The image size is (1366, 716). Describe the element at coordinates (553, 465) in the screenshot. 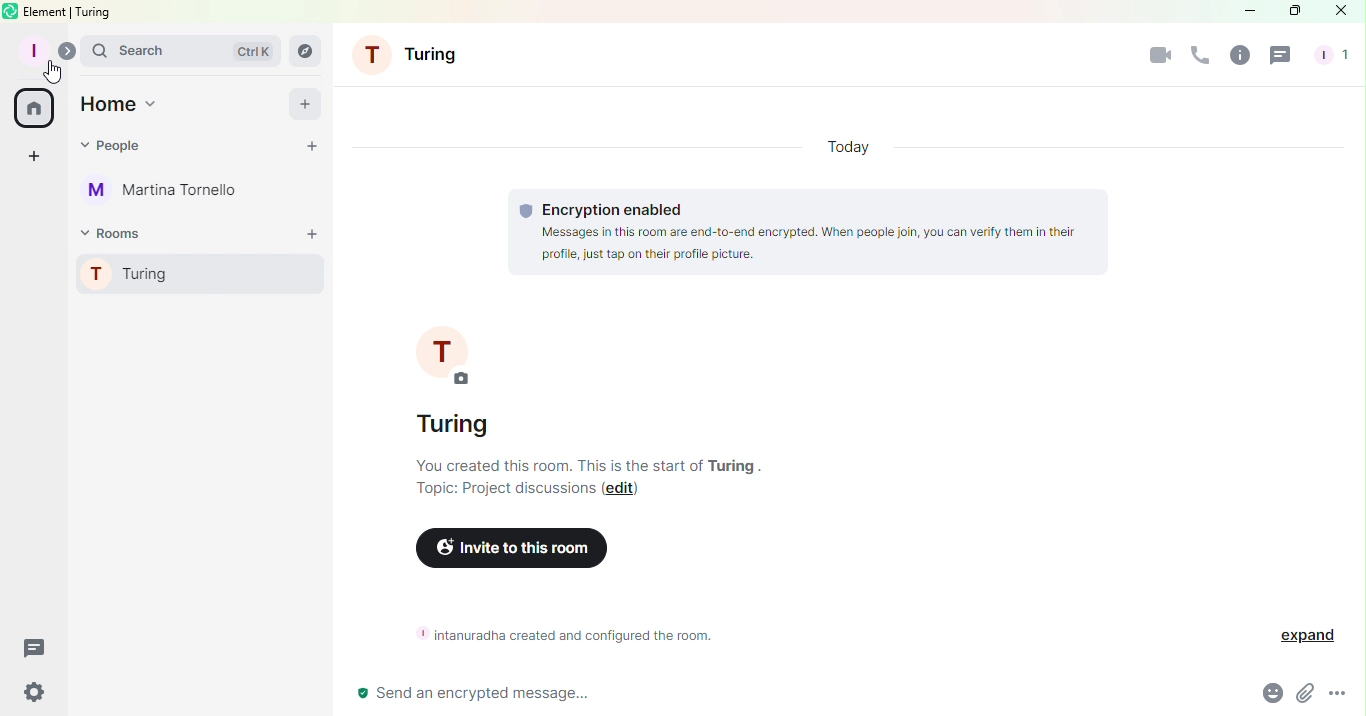

I see `you created this room. This is the start of` at that location.